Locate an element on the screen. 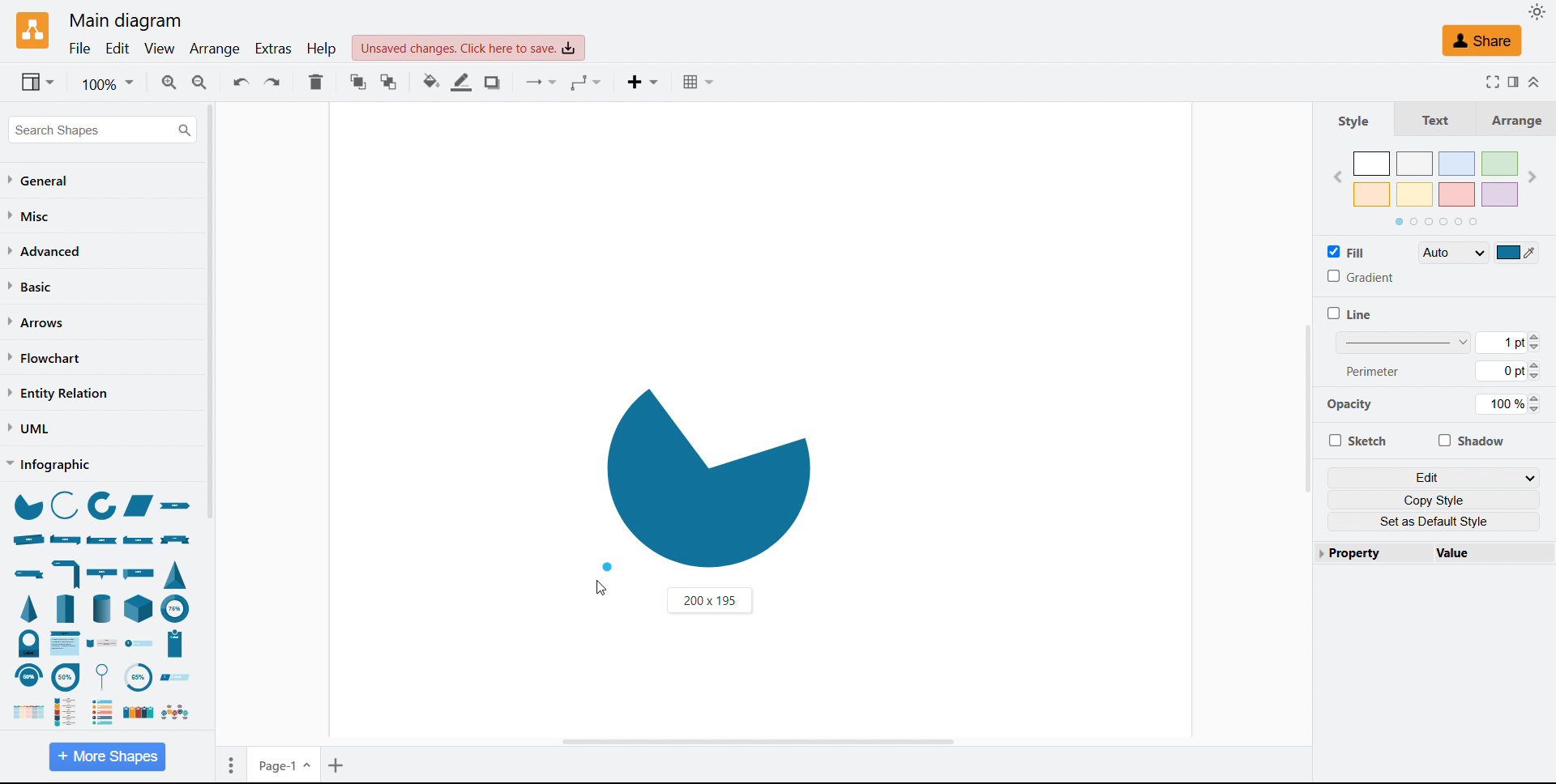 The image size is (1556, 784). numbered entry vertical is located at coordinates (176, 644).